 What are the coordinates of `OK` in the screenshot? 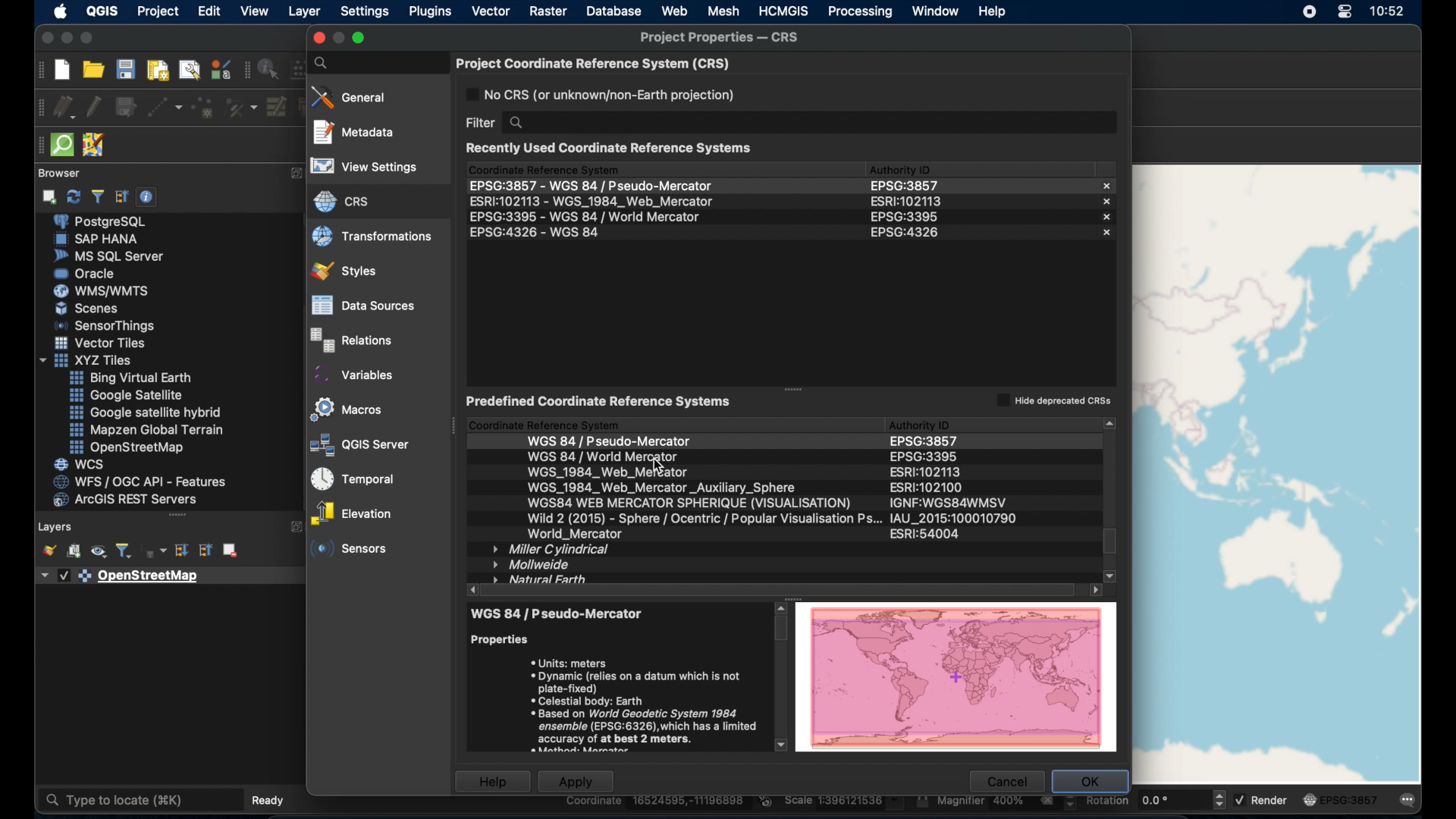 It's located at (1088, 780).